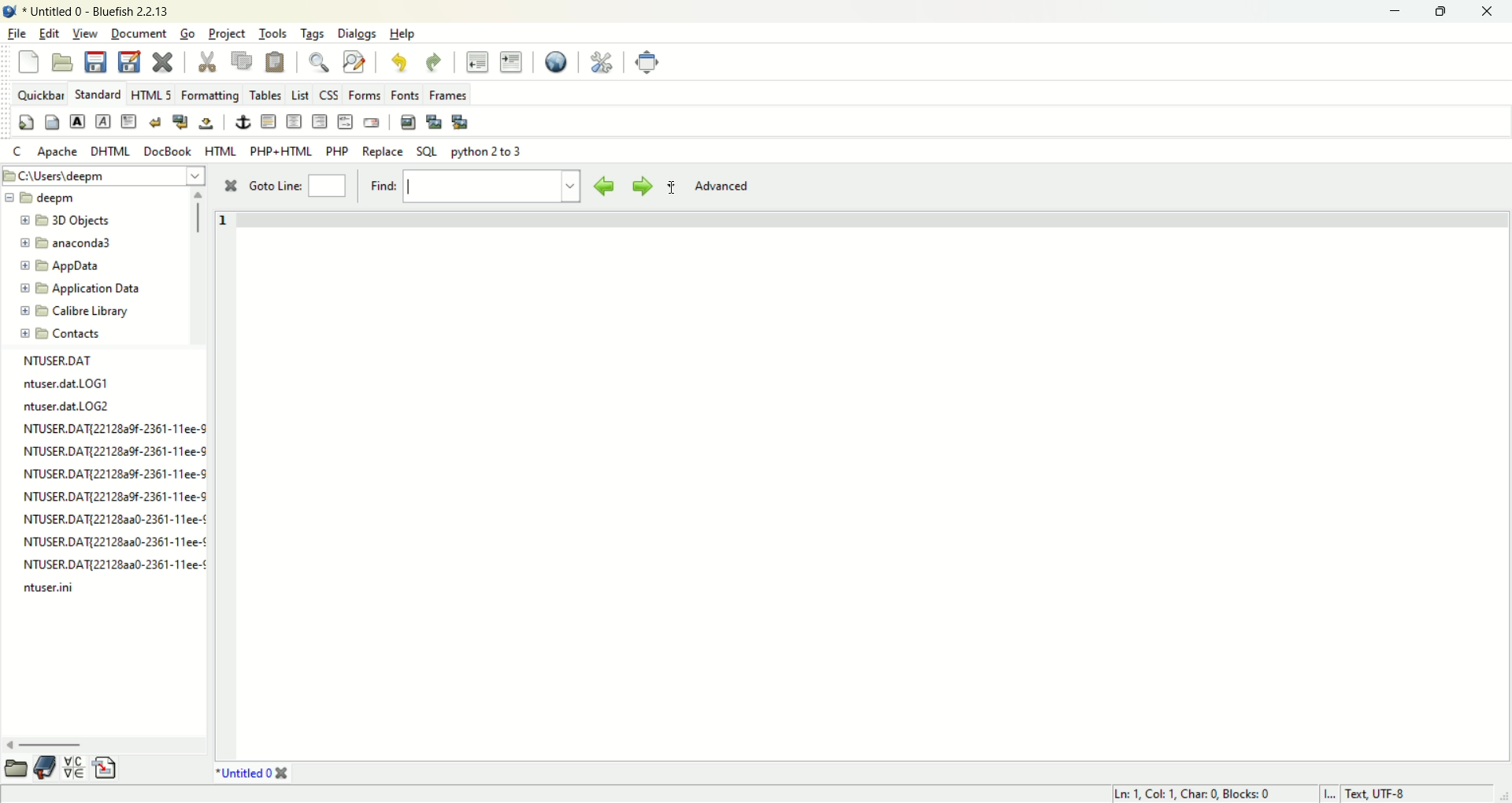 The height and width of the screenshot is (803, 1512). I want to click on NTUSER.DAT{22128aa0-2361-11ee-¢, so click(113, 541).